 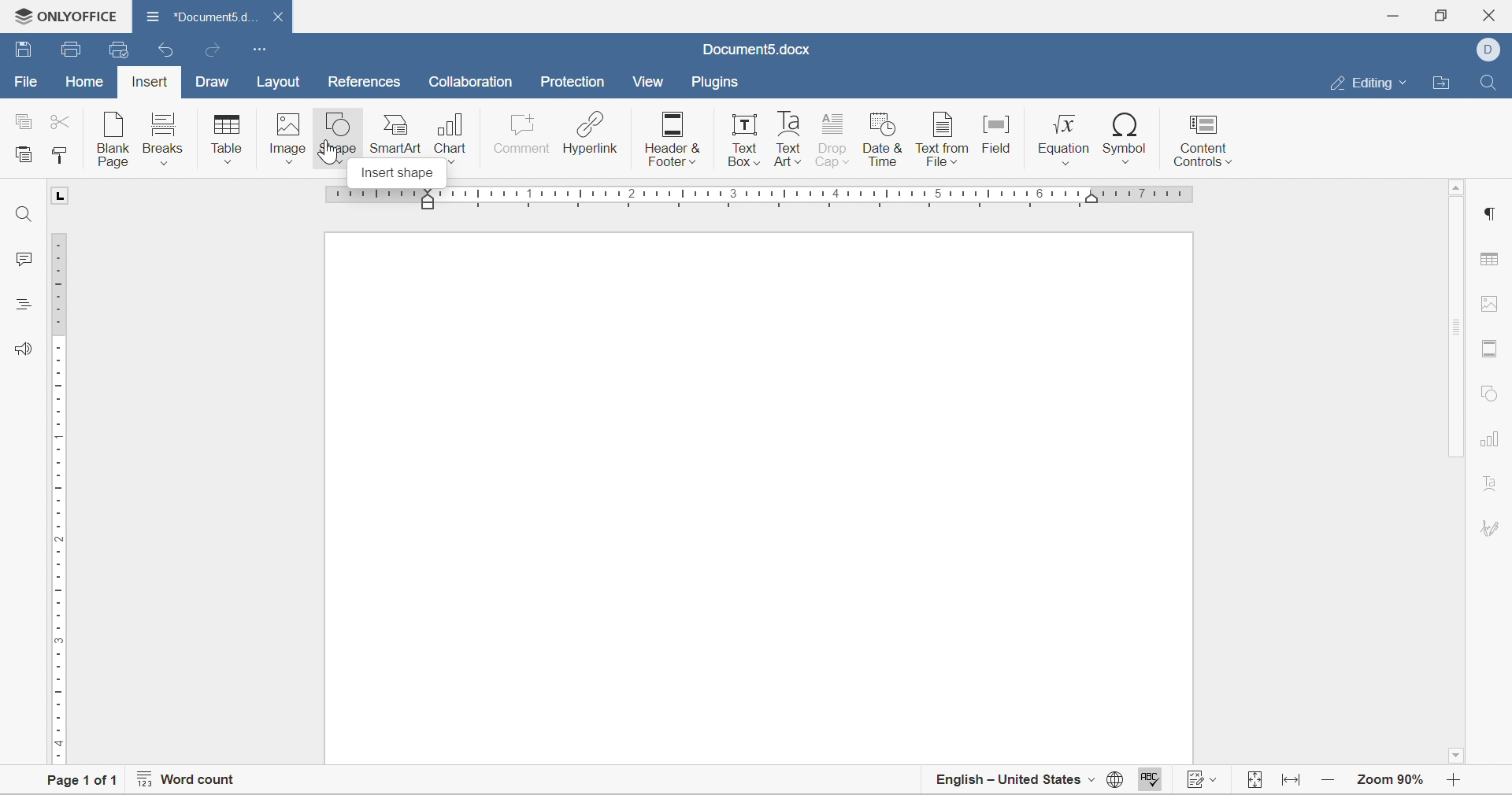 What do you see at coordinates (1494, 483) in the screenshot?
I see `text art settings` at bounding box center [1494, 483].